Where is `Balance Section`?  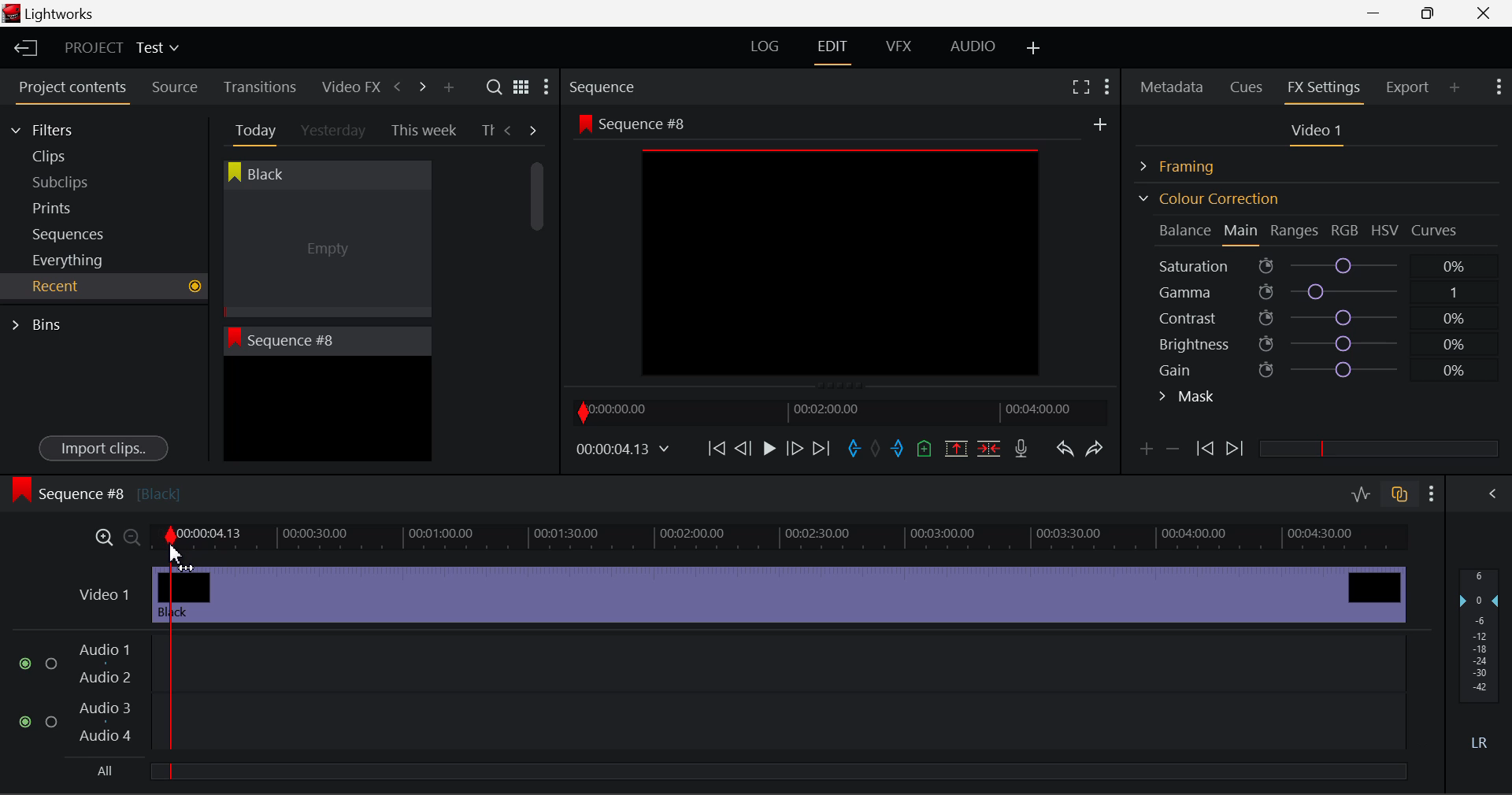
Balance Section is located at coordinates (1187, 230).